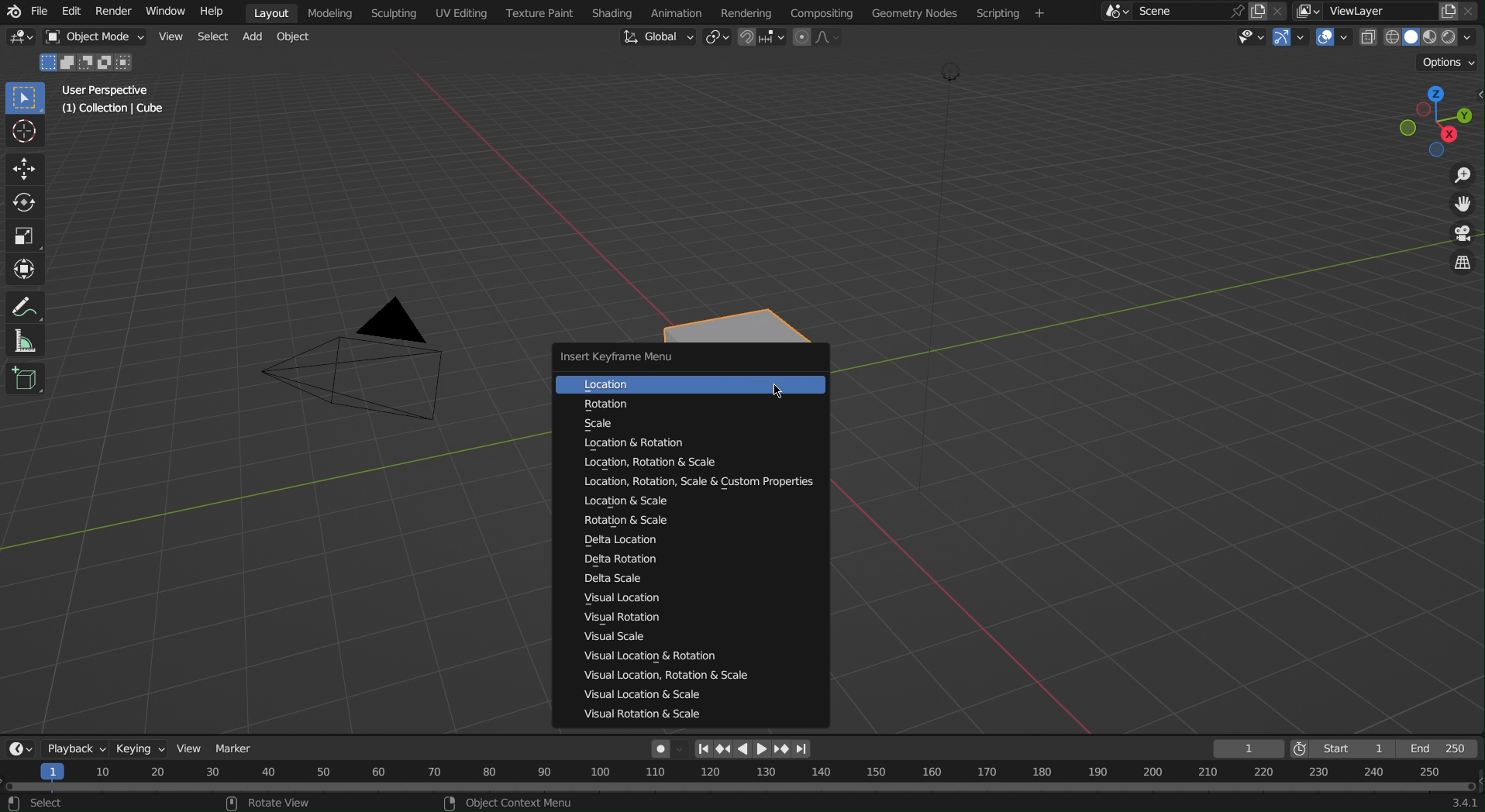 This screenshot has width=1485, height=812. Describe the element at coordinates (1417, 122) in the screenshot. I see `Viewpoint` at that location.